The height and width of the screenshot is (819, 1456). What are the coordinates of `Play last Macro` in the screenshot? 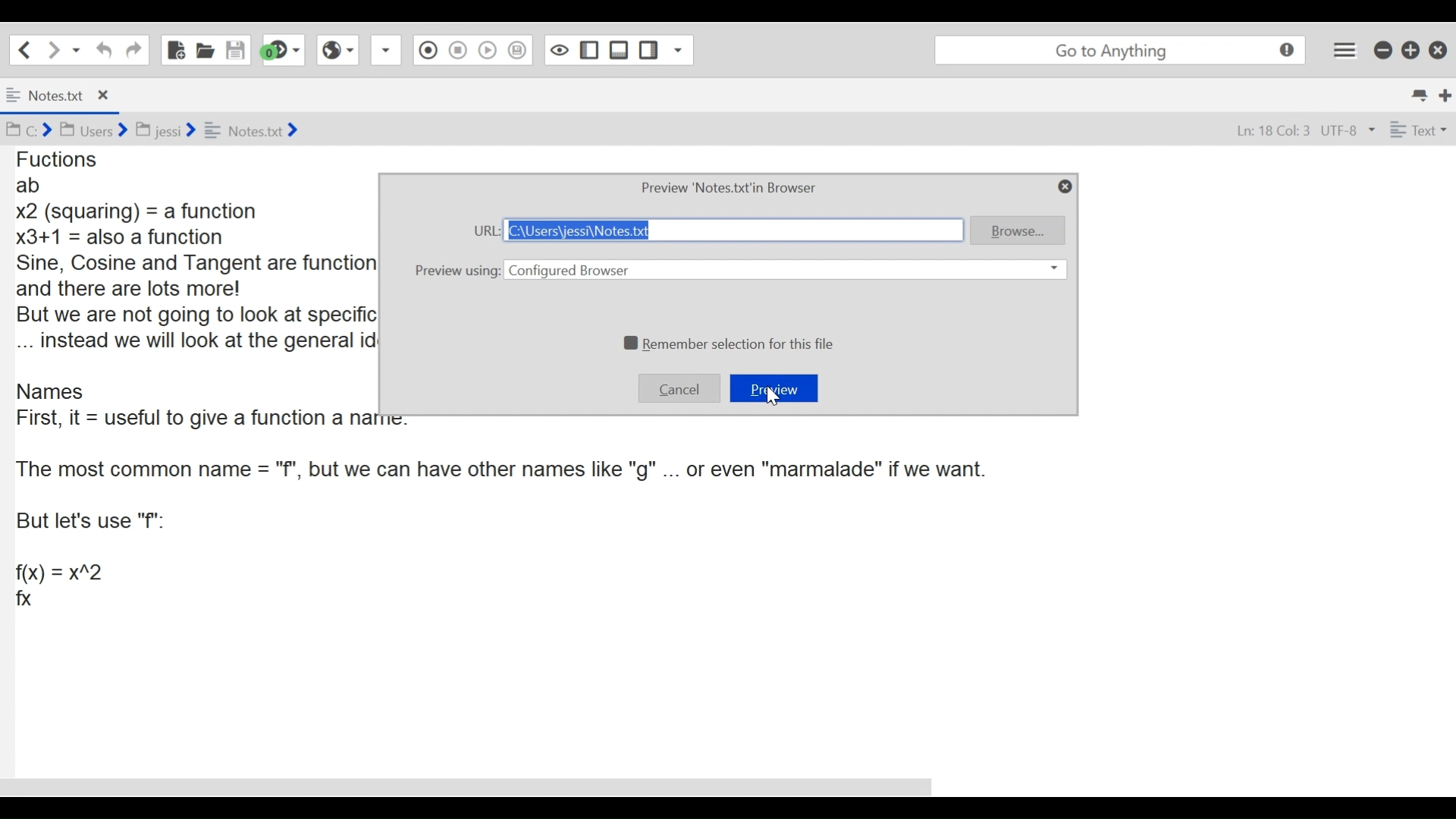 It's located at (486, 50).